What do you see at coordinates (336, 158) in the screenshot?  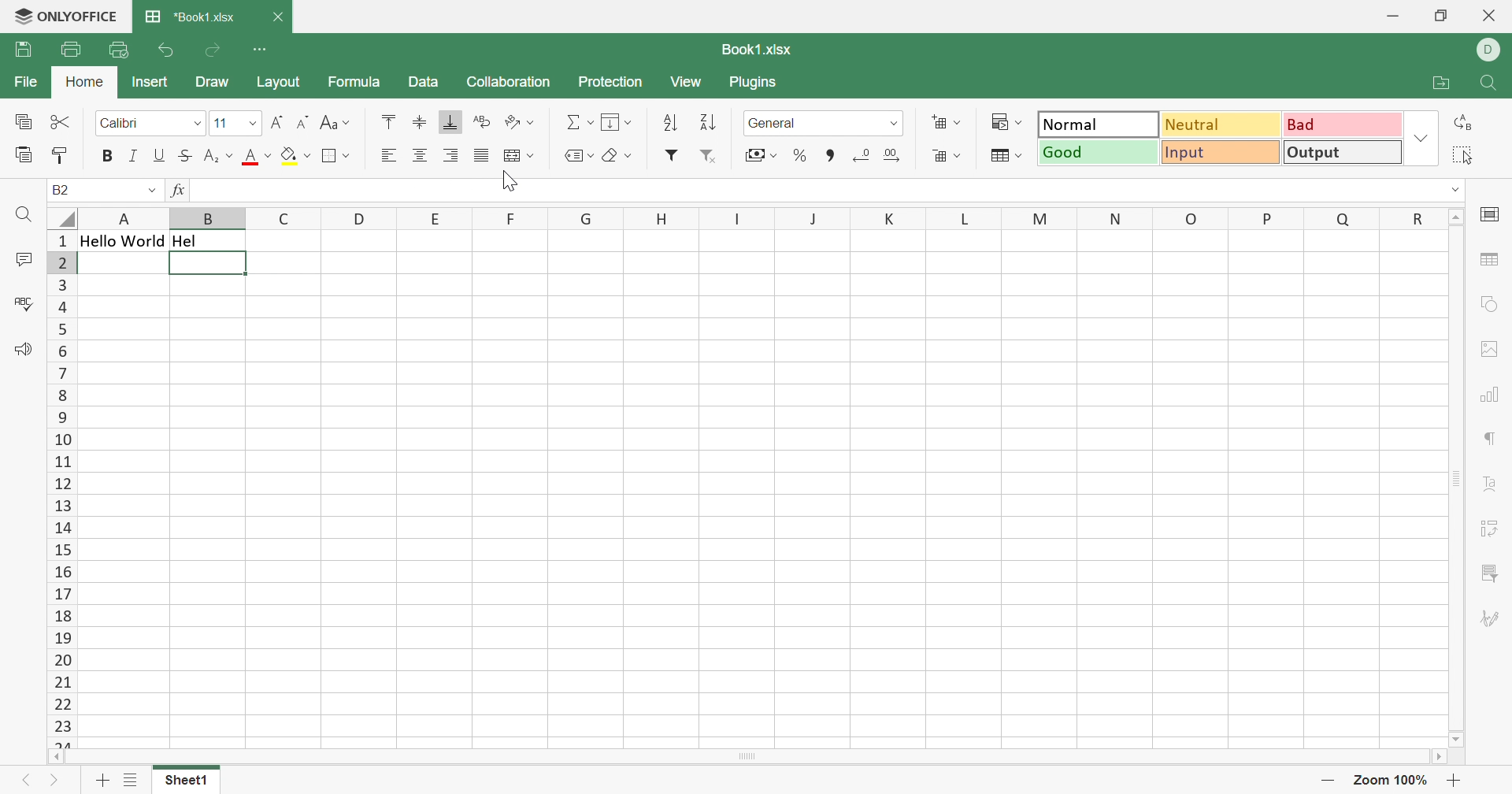 I see `Borders` at bounding box center [336, 158].